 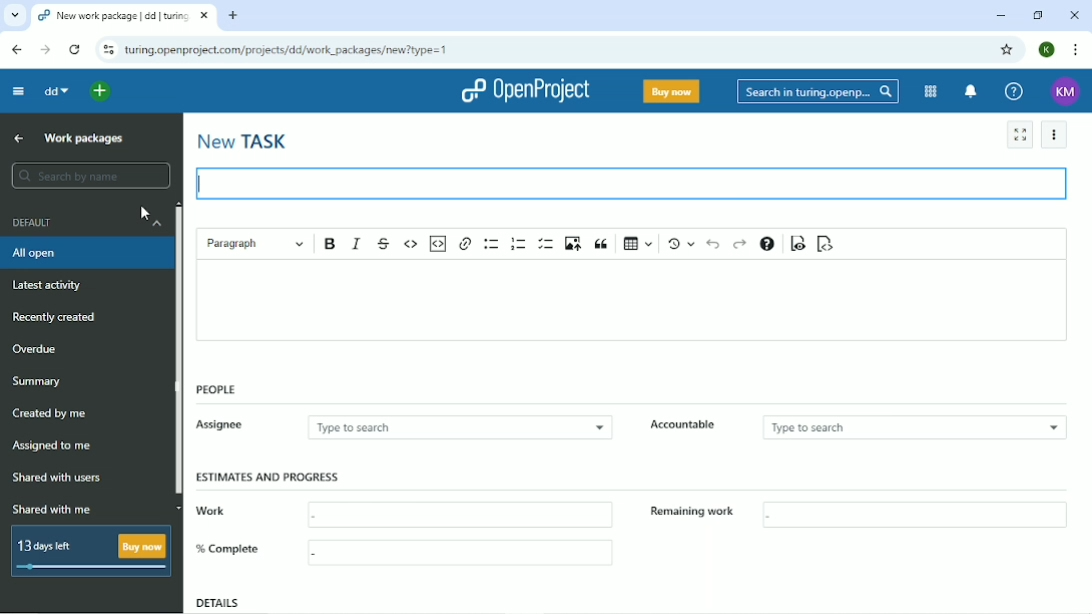 I want to click on Work, so click(x=231, y=515).